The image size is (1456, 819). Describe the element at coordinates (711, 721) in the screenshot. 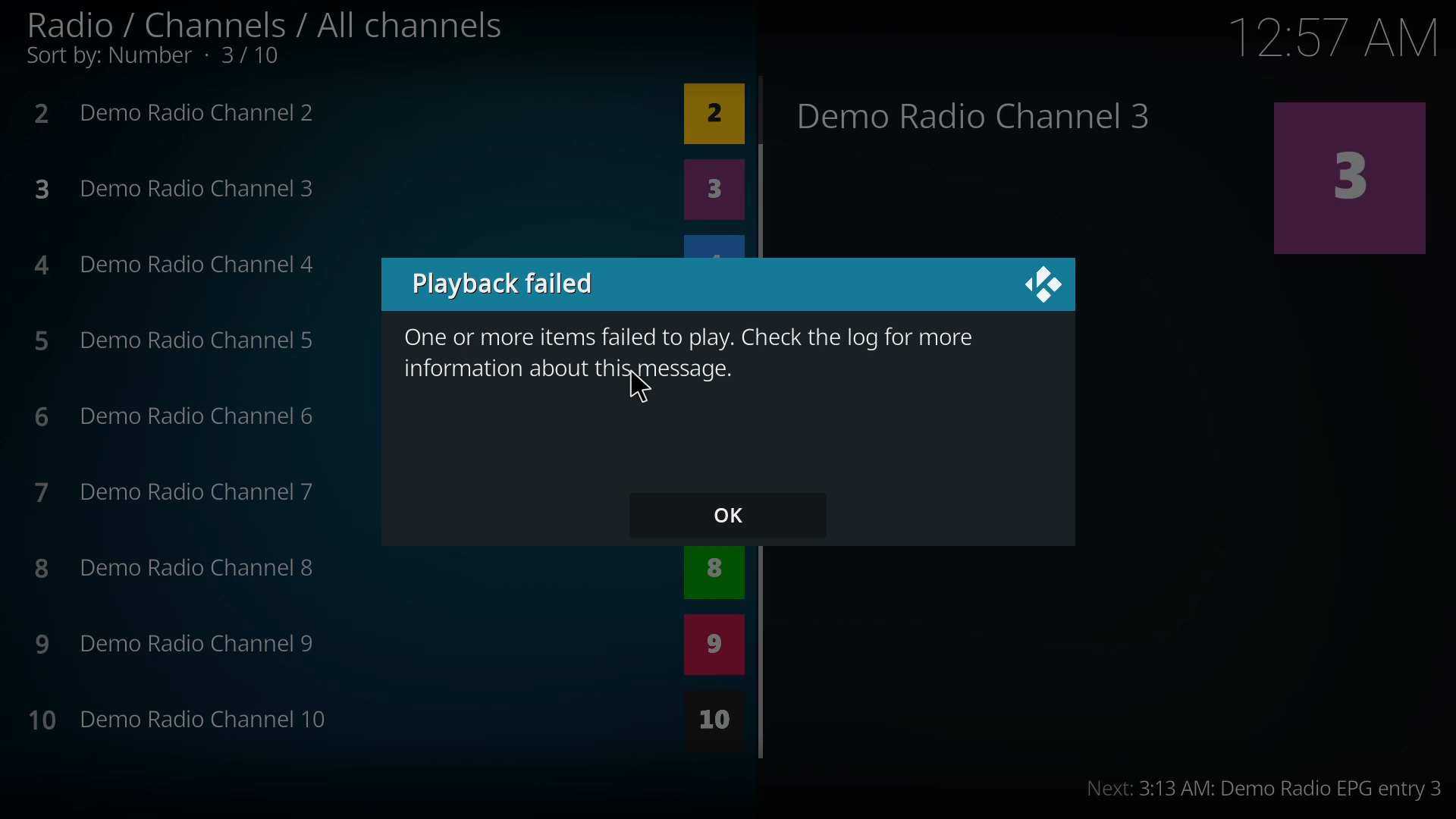

I see `10` at that location.